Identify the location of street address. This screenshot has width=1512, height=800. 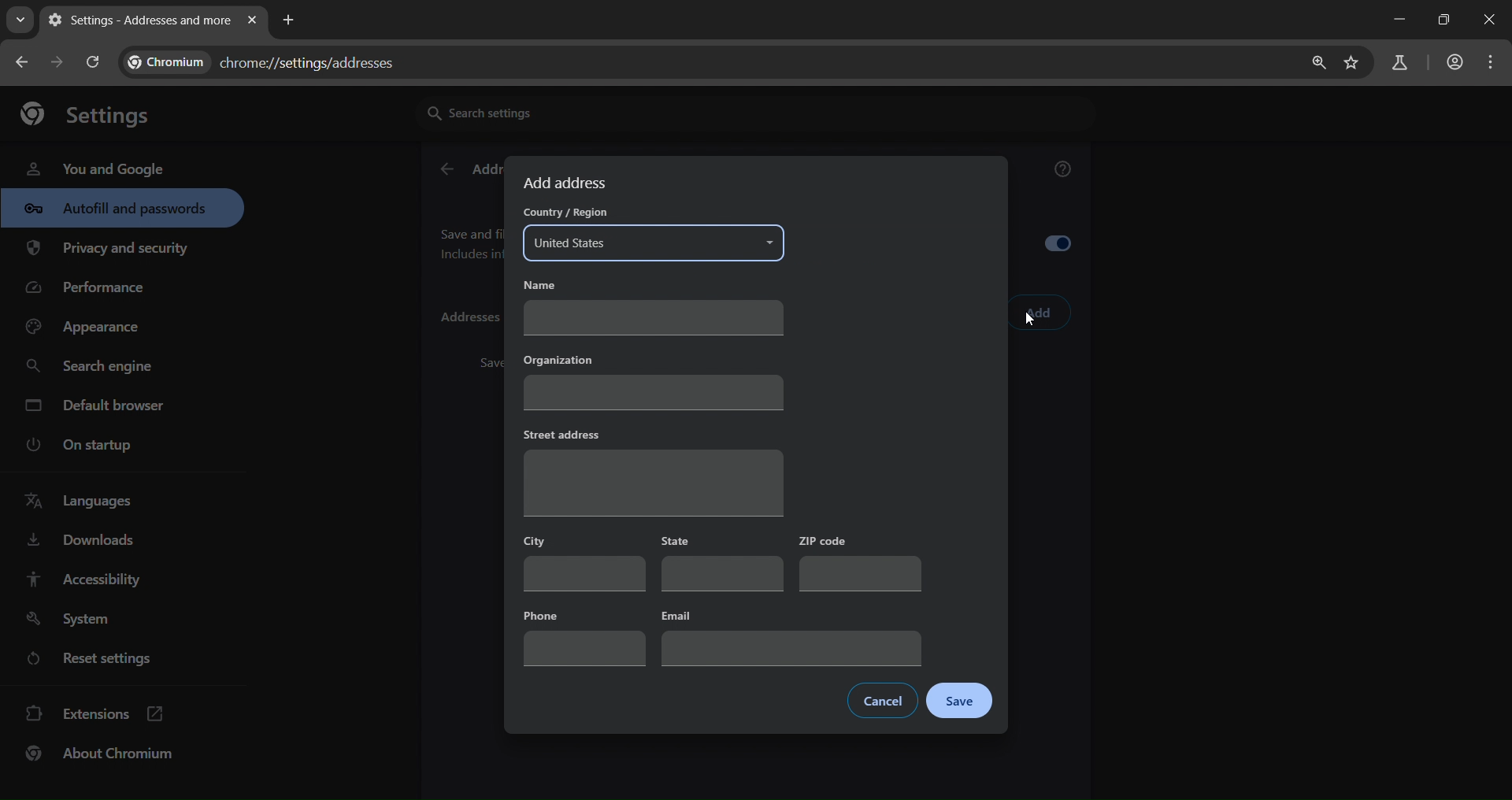
(652, 470).